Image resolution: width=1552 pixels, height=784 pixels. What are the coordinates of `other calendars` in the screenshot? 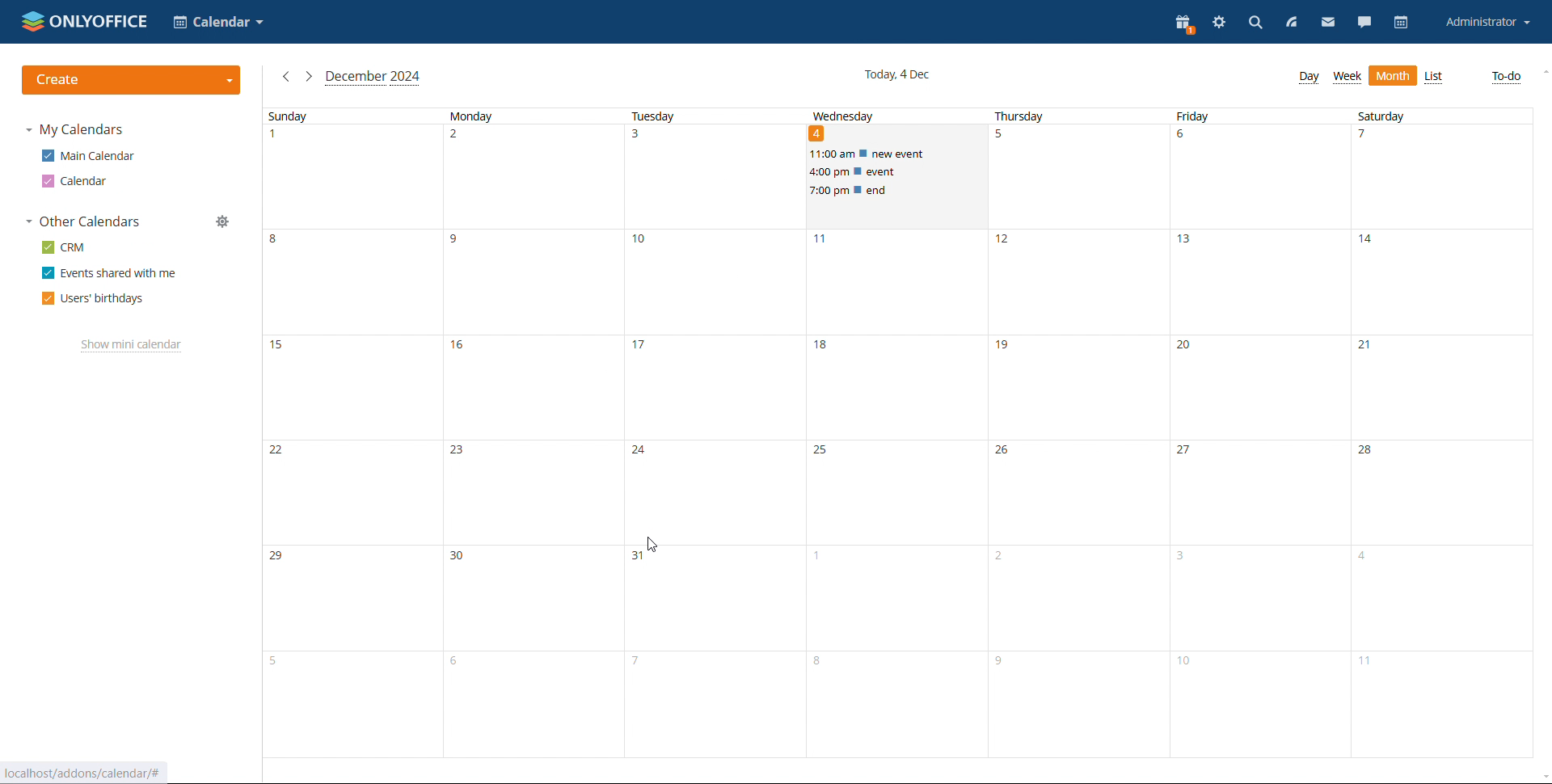 It's located at (86, 221).